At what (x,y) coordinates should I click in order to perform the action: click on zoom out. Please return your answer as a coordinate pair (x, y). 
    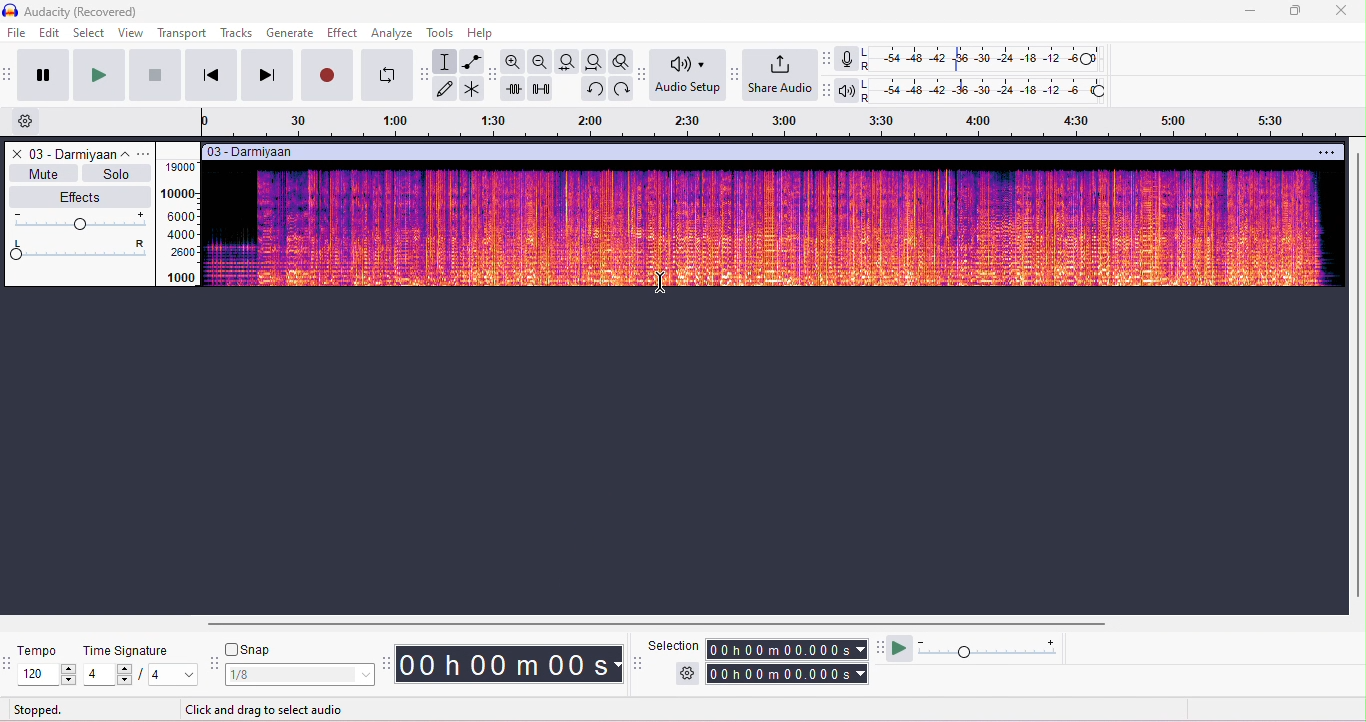
    Looking at the image, I should click on (541, 61).